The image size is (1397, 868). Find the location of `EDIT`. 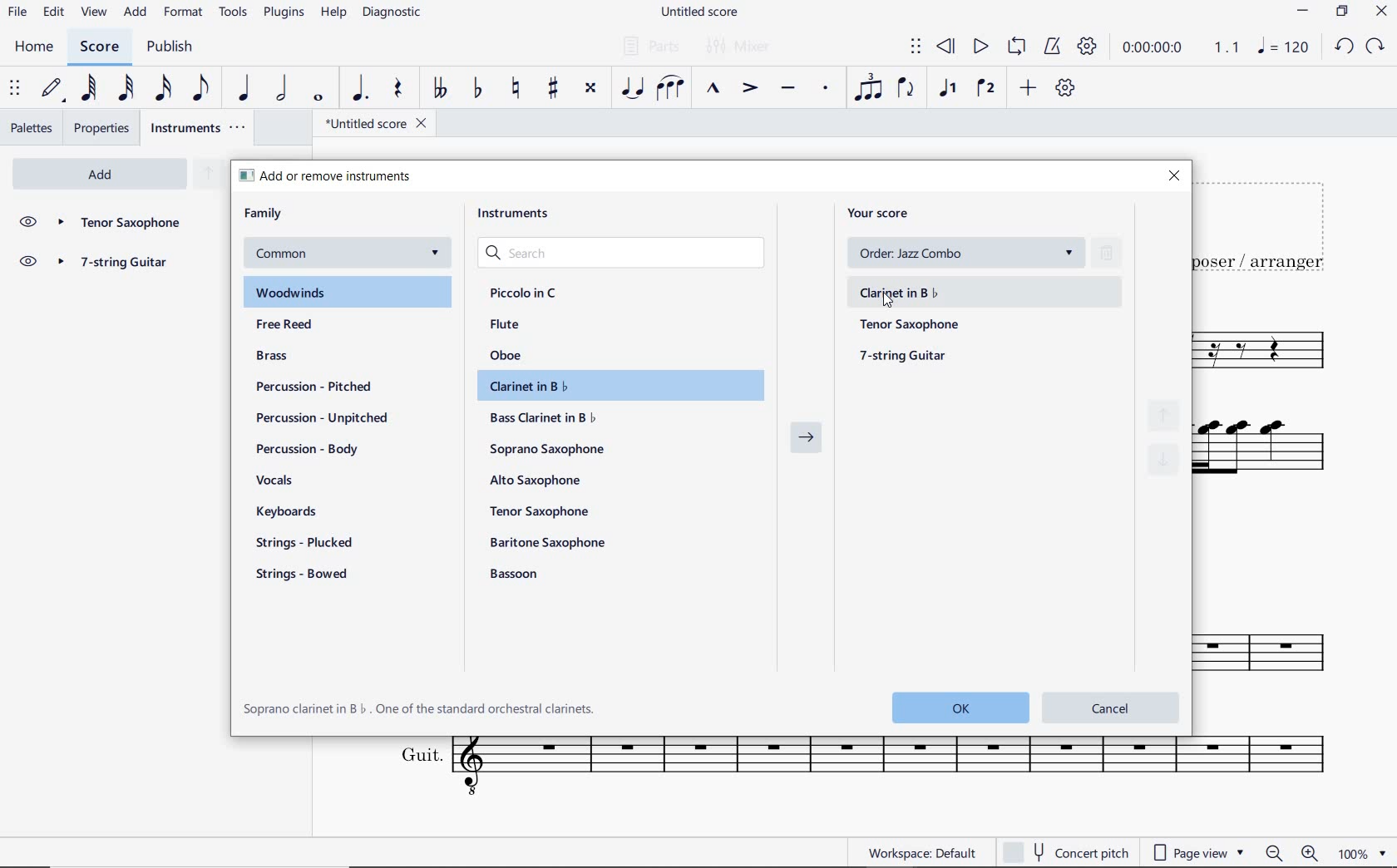

EDIT is located at coordinates (54, 12).